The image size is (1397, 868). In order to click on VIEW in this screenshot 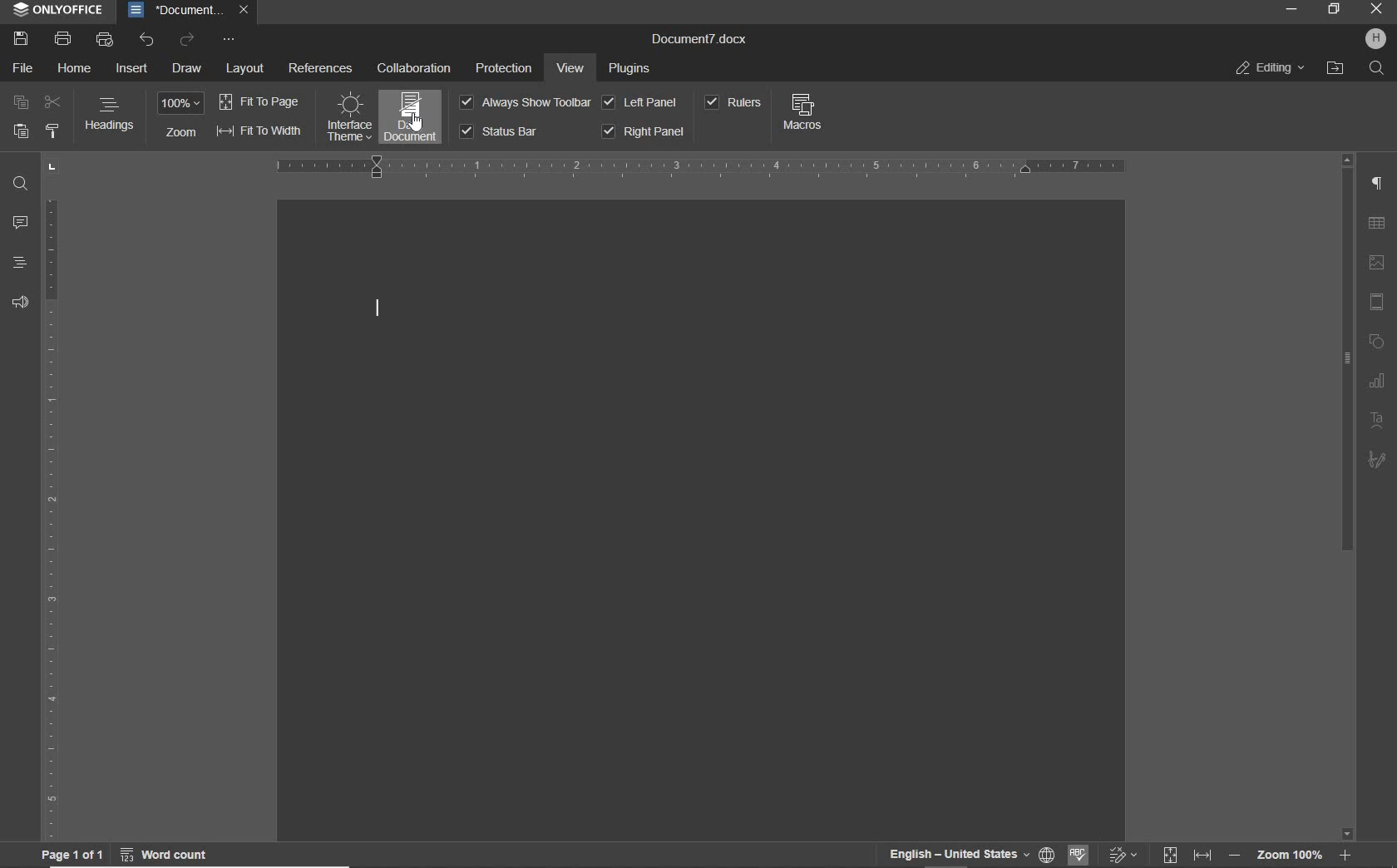, I will do `click(570, 70)`.